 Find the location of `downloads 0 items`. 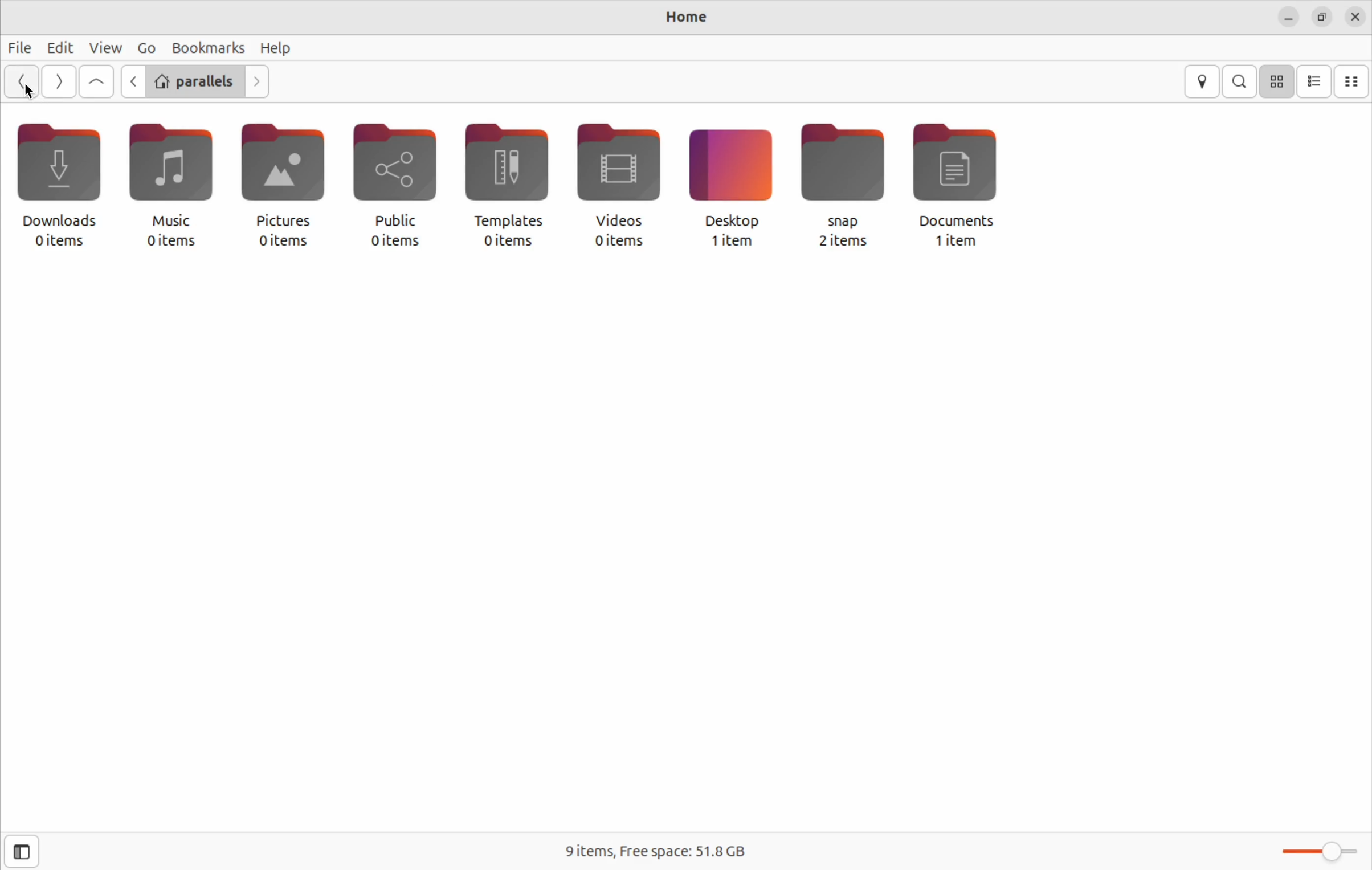

downloads 0 items is located at coordinates (52, 183).